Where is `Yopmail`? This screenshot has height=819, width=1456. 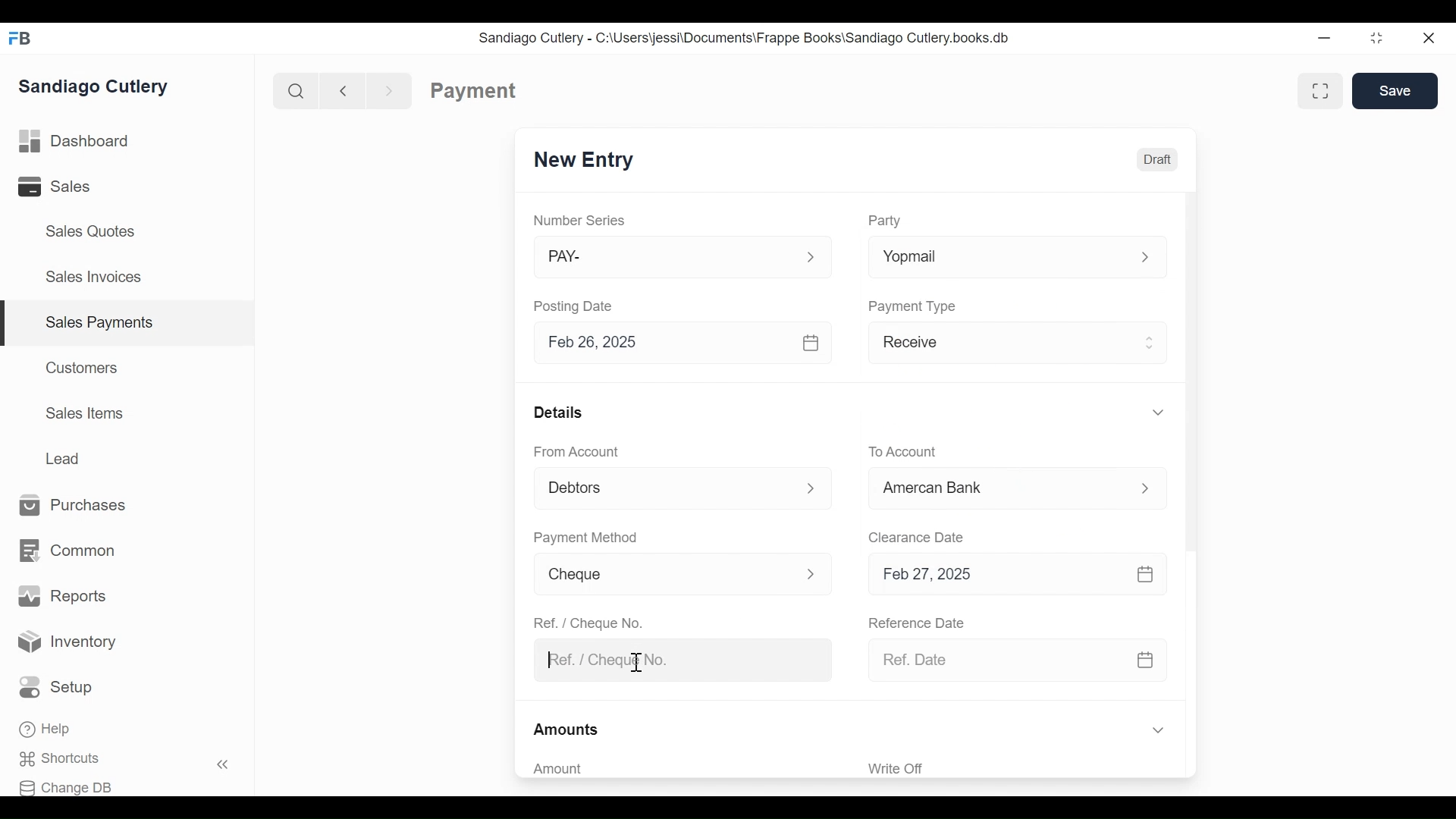 Yopmail is located at coordinates (993, 258).